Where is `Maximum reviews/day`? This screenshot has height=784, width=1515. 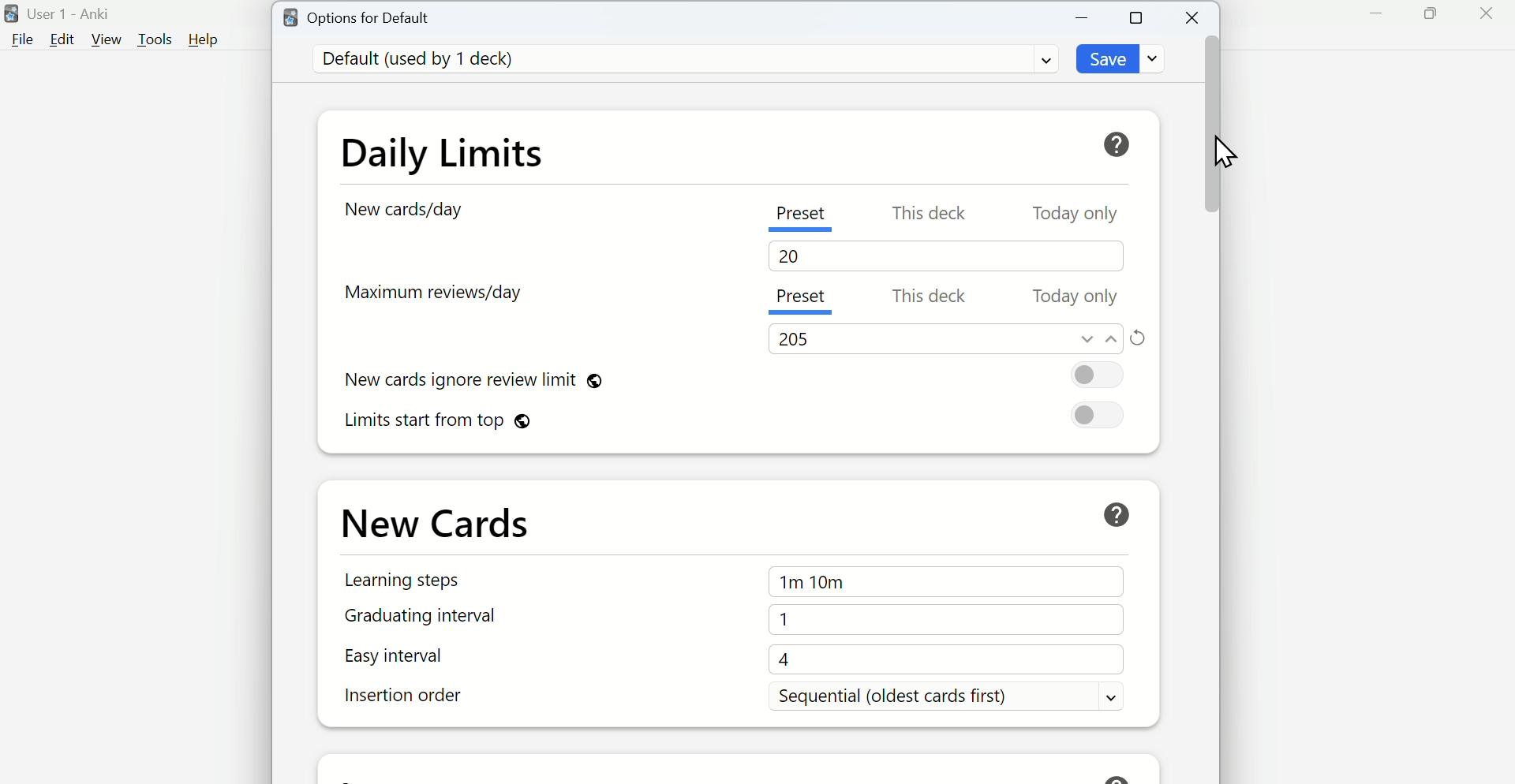 Maximum reviews/day is located at coordinates (432, 293).